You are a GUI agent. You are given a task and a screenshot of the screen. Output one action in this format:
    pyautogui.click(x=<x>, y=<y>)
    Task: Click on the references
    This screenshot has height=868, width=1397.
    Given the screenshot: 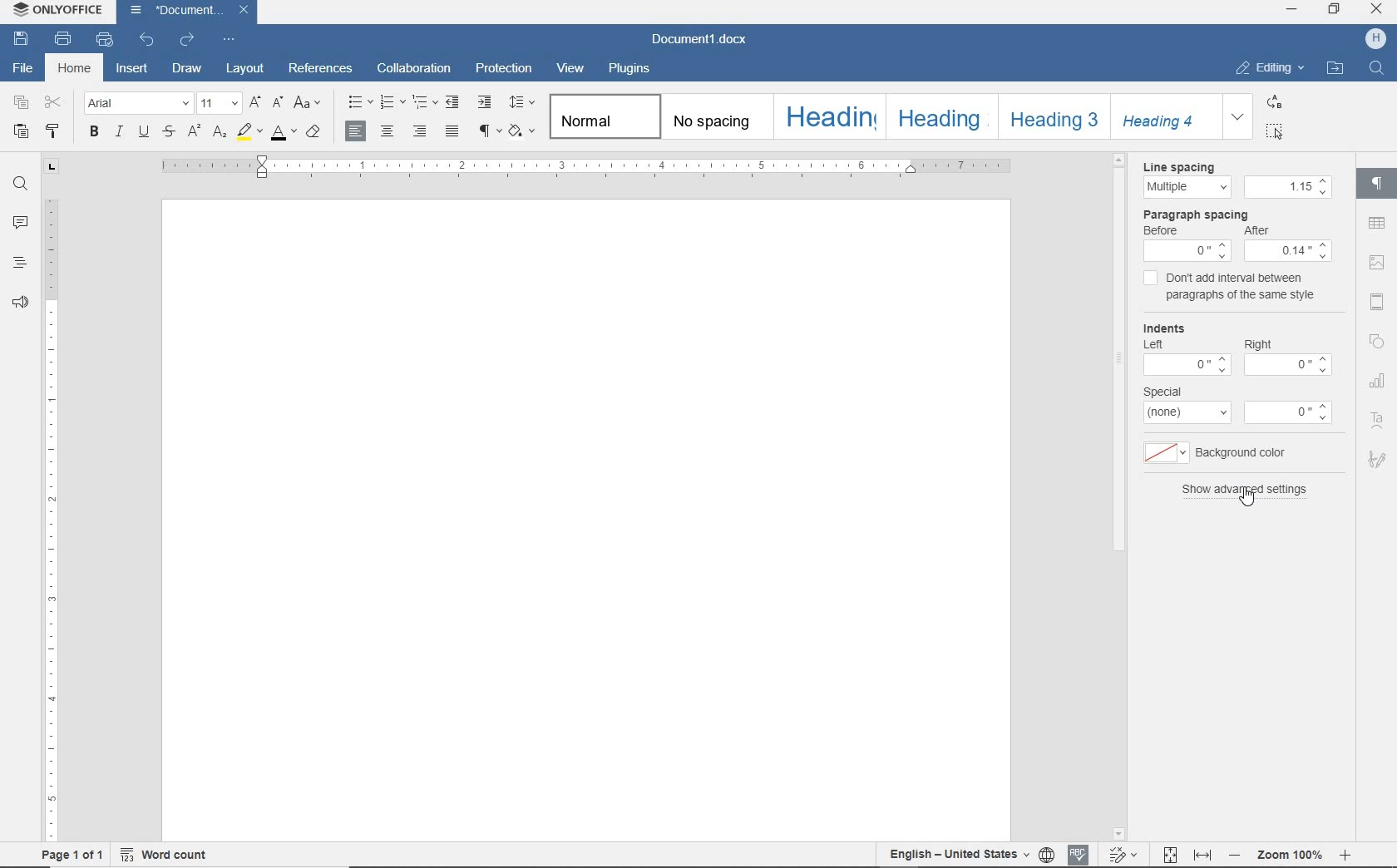 What is the action you would take?
    pyautogui.click(x=321, y=67)
    